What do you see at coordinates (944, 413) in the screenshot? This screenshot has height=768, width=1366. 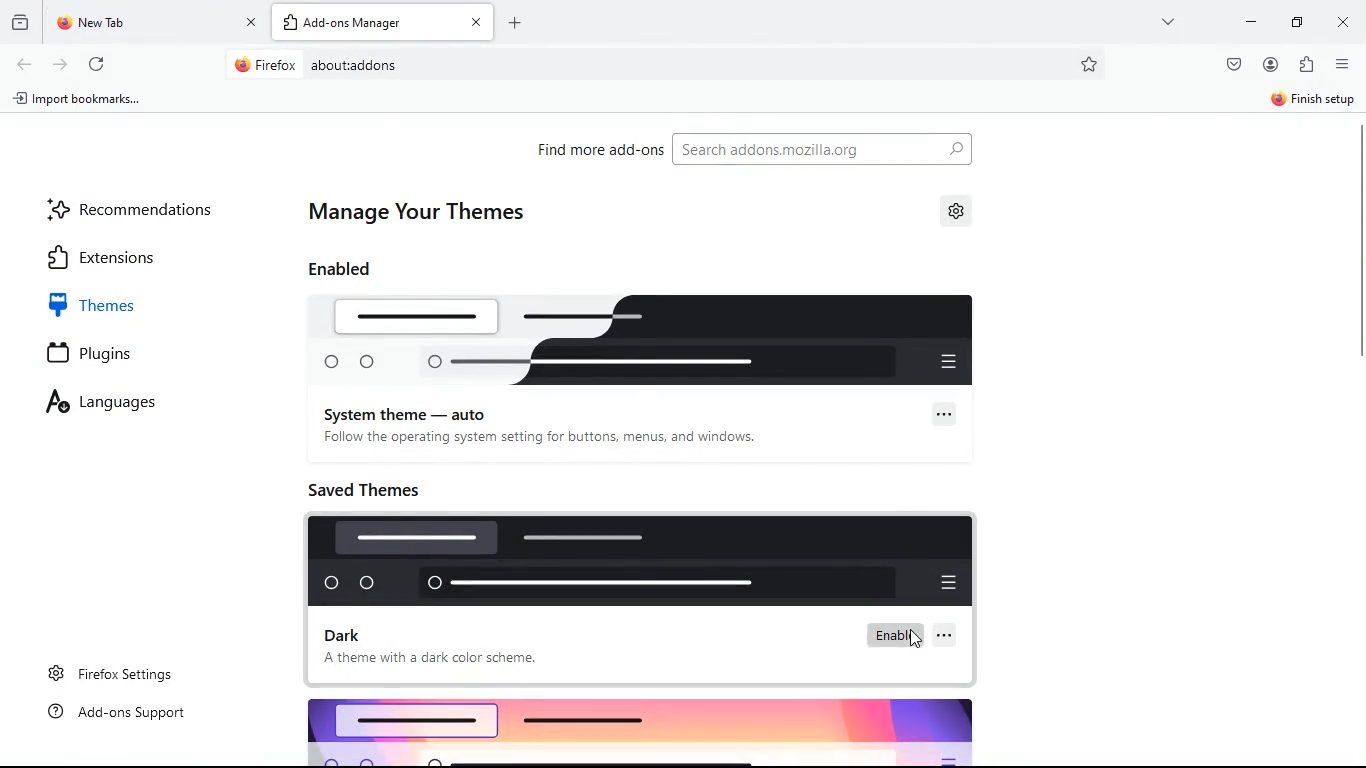 I see `more` at bounding box center [944, 413].